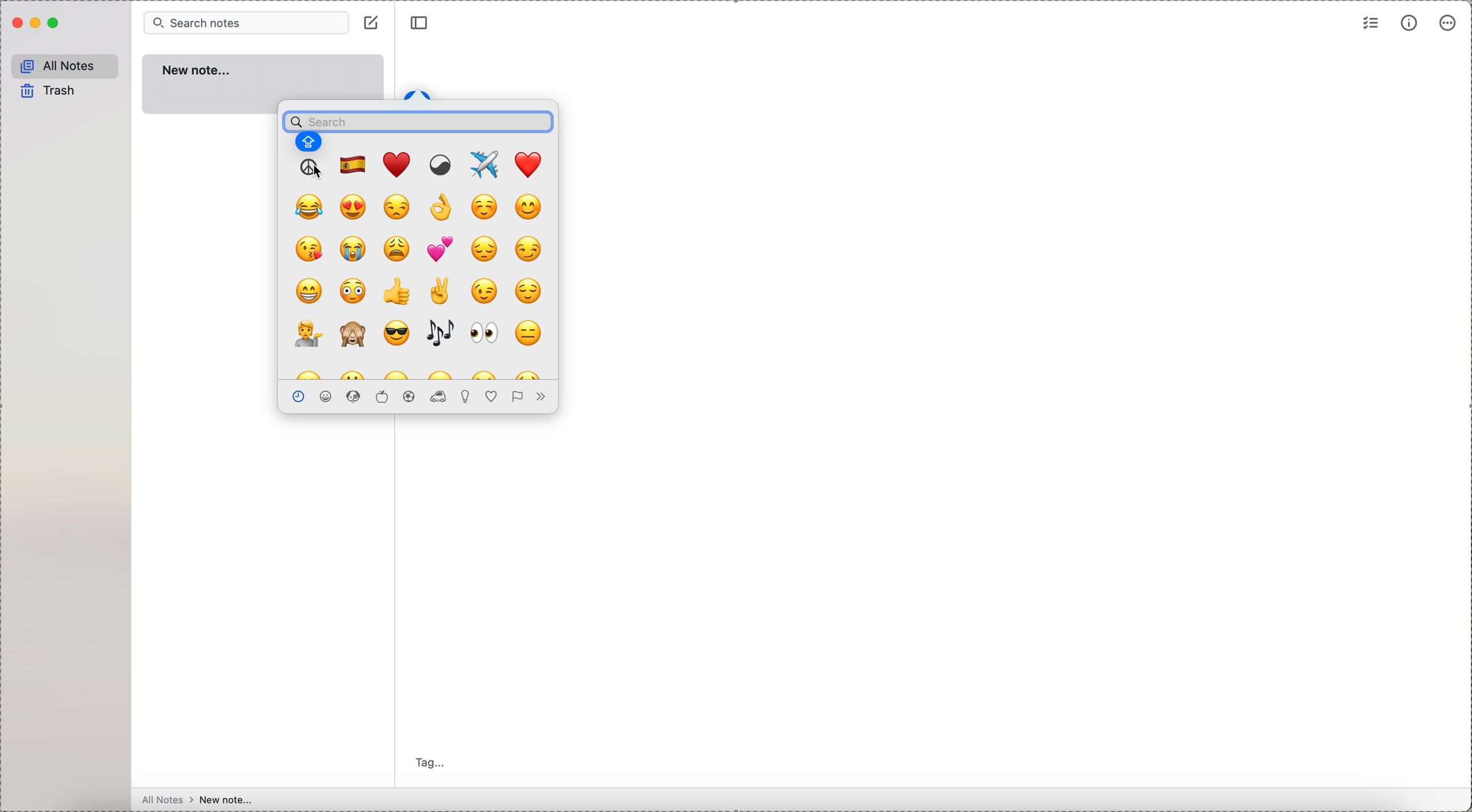  I want to click on tag, so click(434, 762).